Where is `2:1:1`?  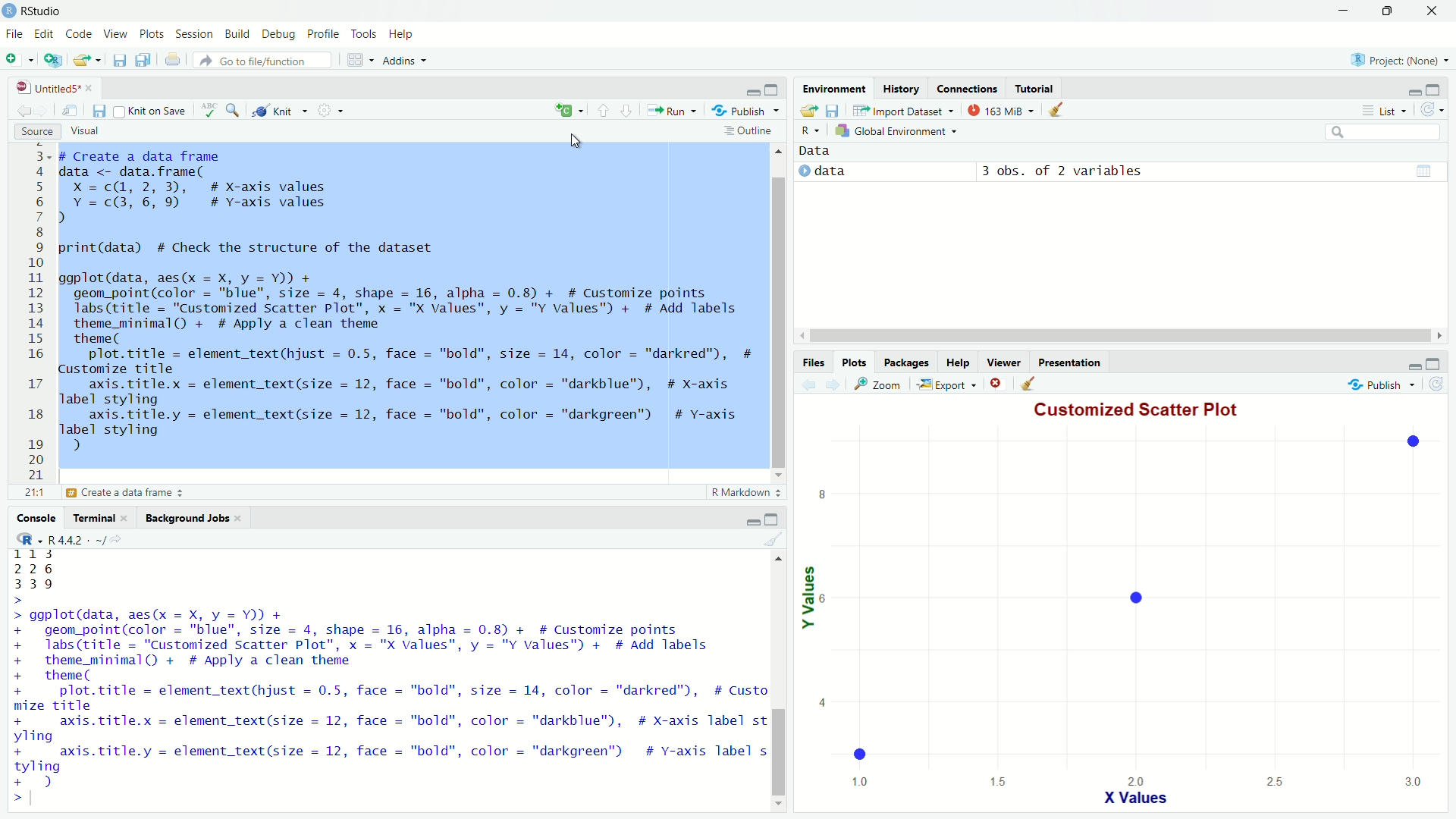
2:1:1 is located at coordinates (31, 493).